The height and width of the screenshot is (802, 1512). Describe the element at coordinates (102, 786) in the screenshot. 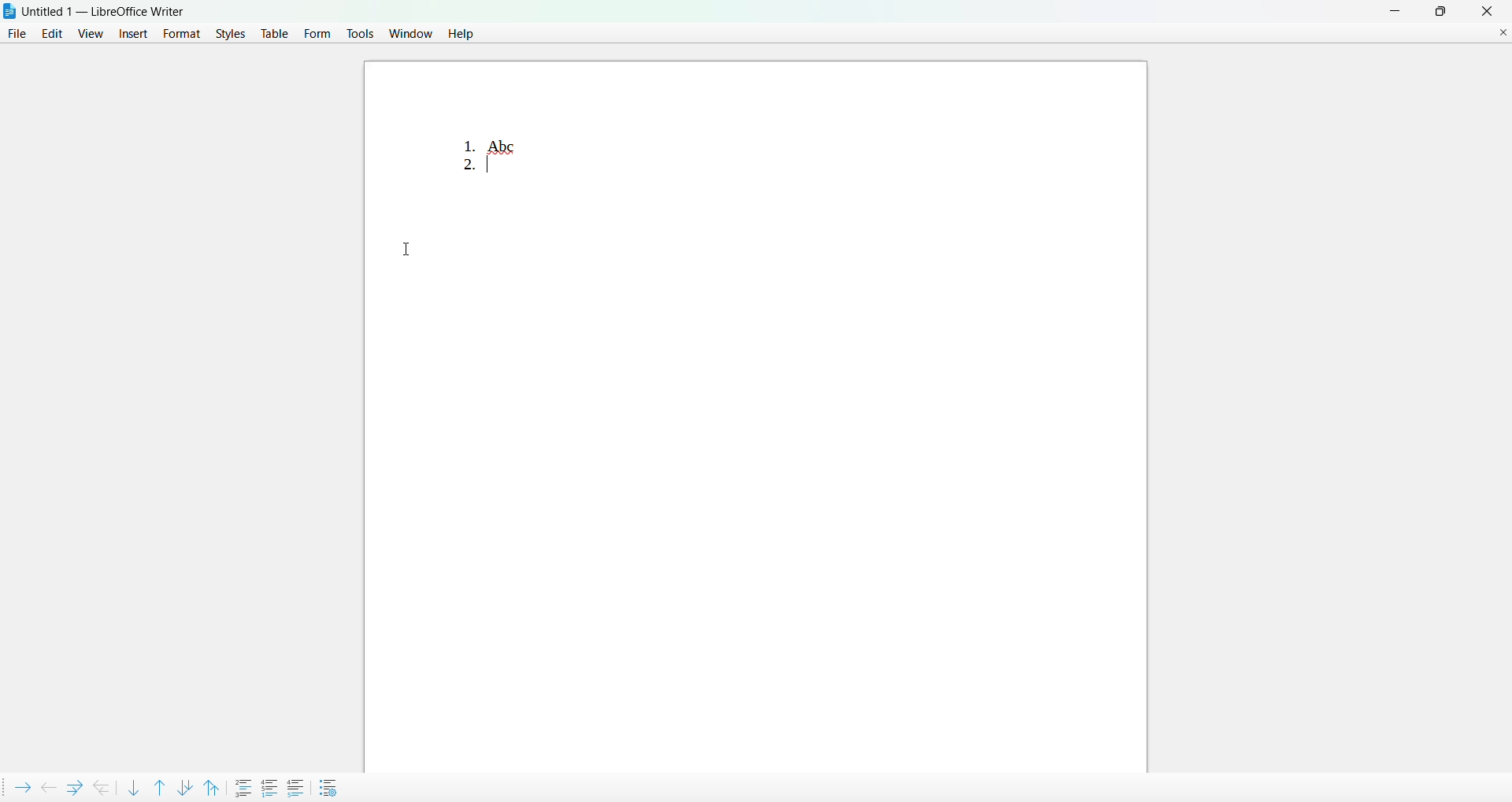

I see `promote outline level with subpoints` at that location.